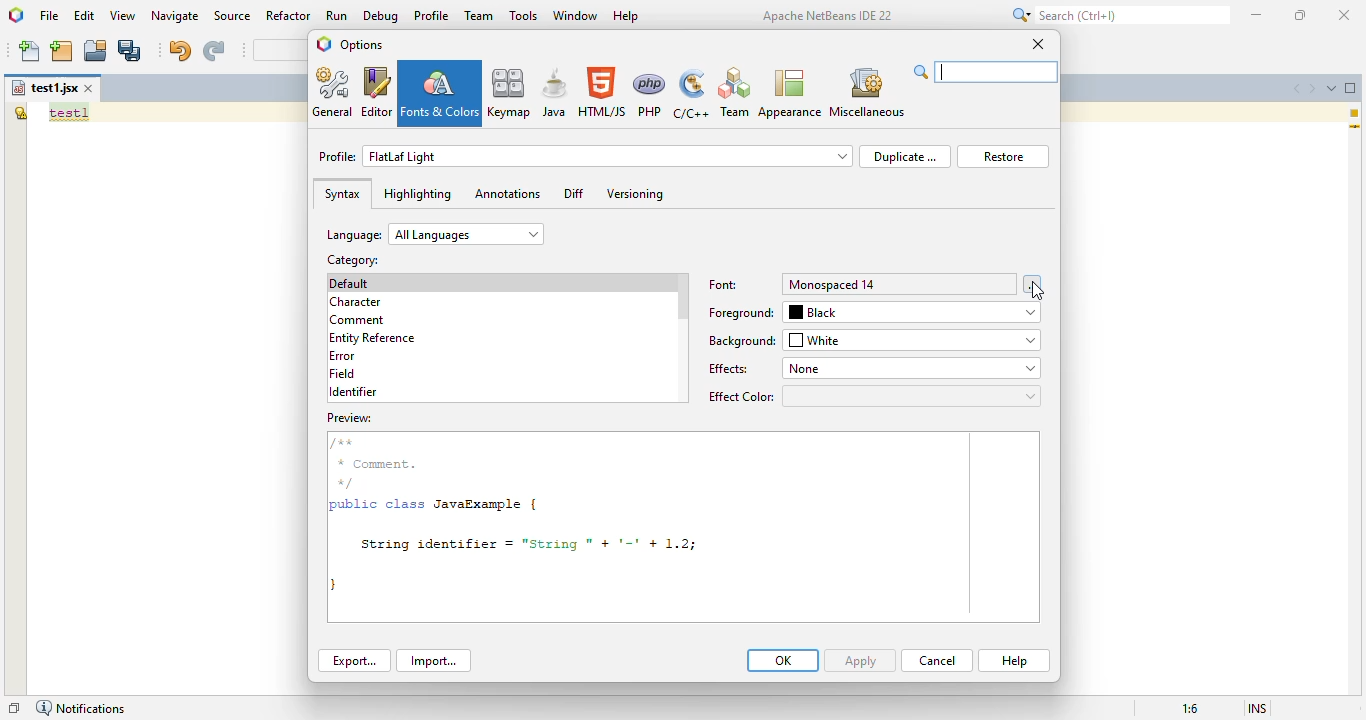 Image resolution: width=1366 pixels, height=720 pixels. Describe the element at coordinates (1258, 709) in the screenshot. I see `insert mode` at that location.